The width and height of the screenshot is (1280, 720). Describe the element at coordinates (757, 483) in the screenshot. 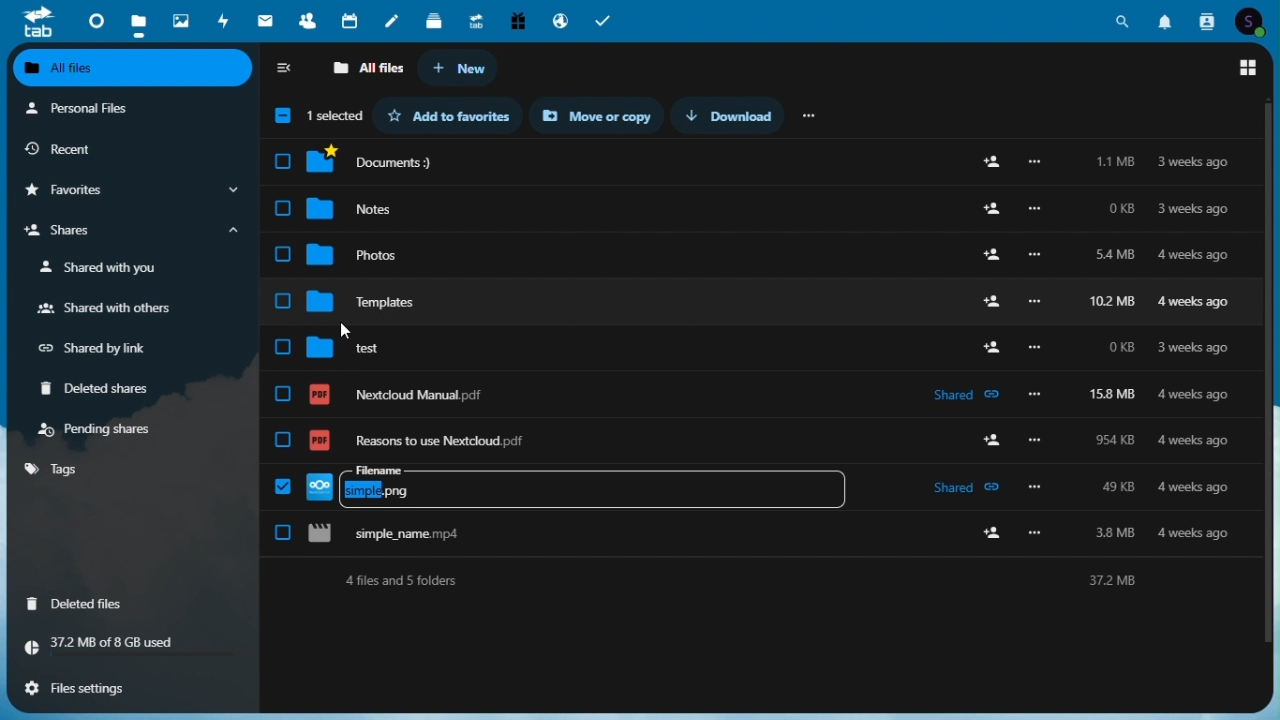

I see `file being renamed` at that location.